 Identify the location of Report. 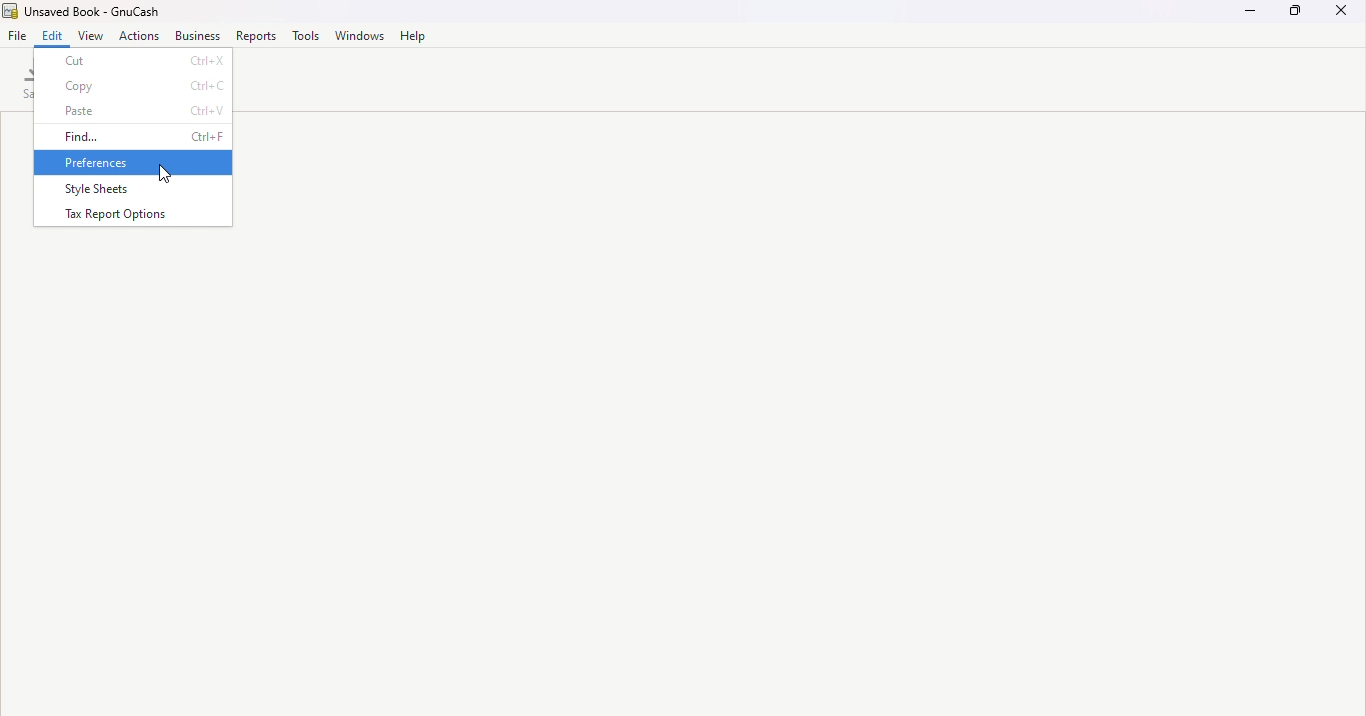
(258, 36).